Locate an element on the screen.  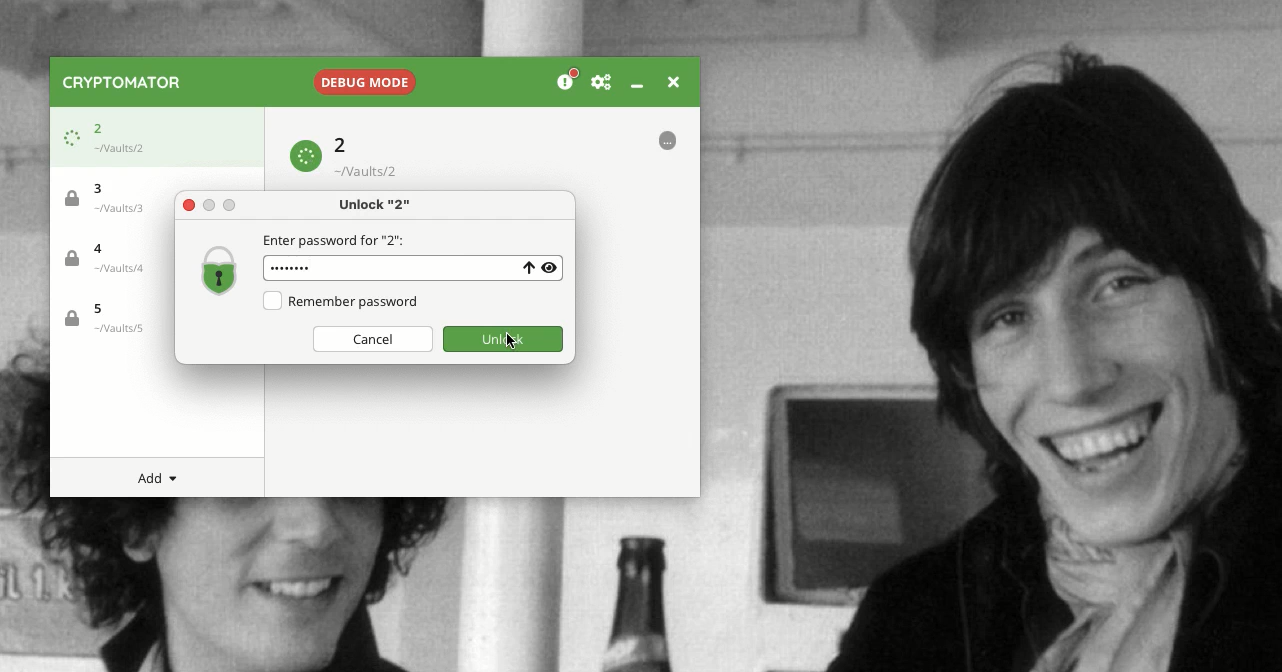
Preferences is located at coordinates (601, 83).